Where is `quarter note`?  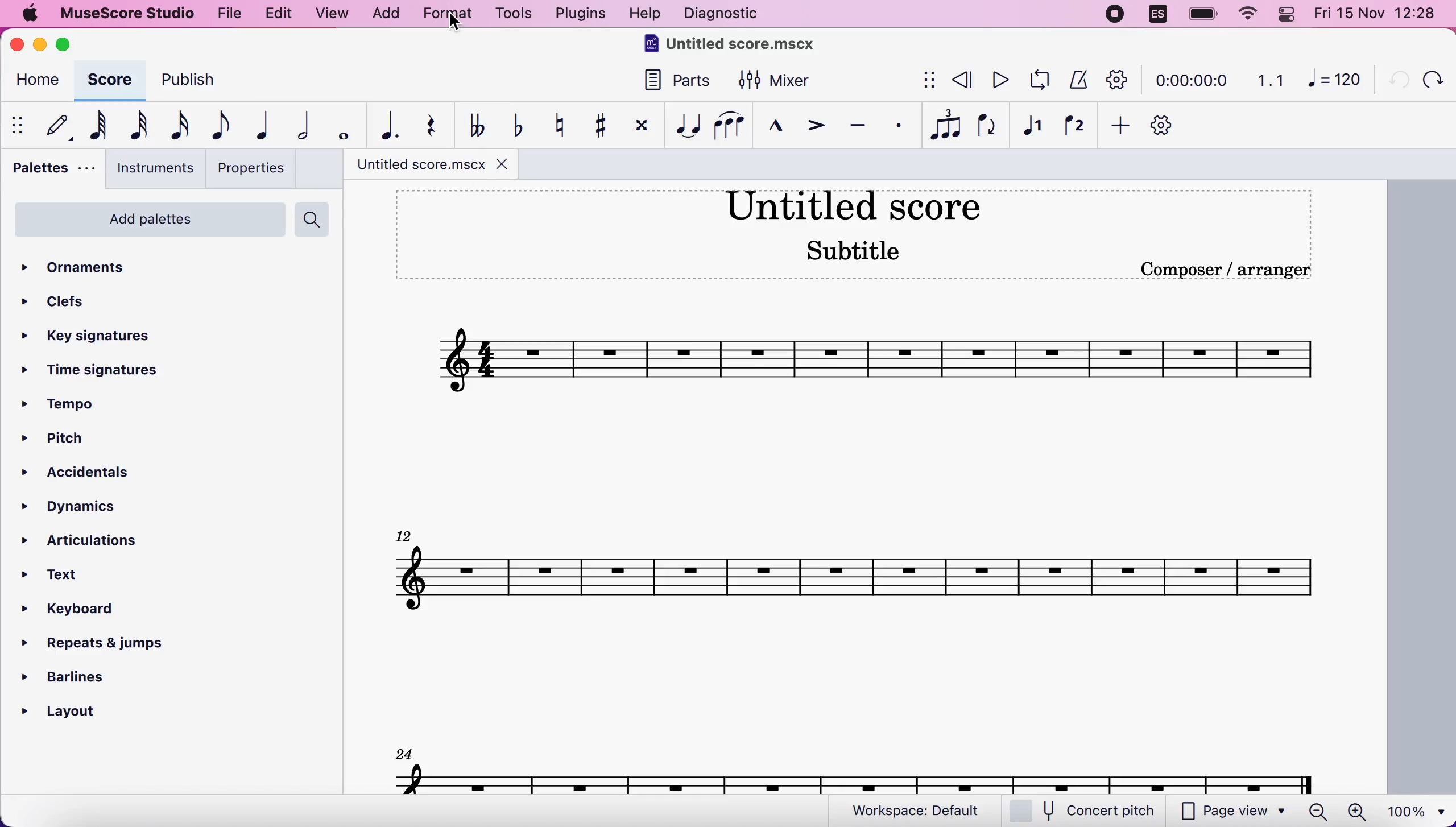
quarter note is located at coordinates (258, 125).